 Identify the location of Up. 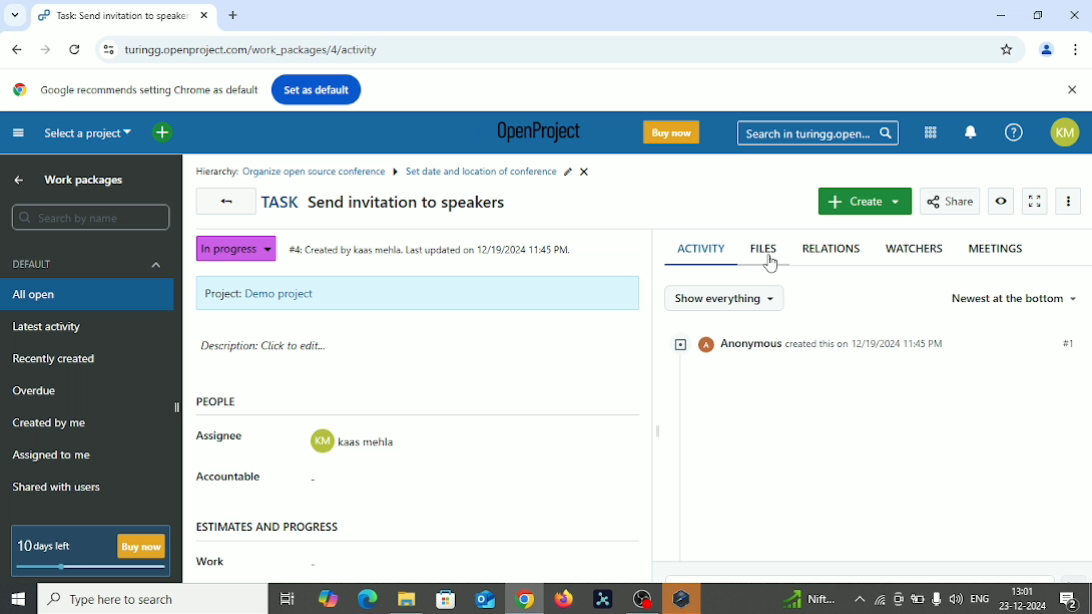
(19, 179).